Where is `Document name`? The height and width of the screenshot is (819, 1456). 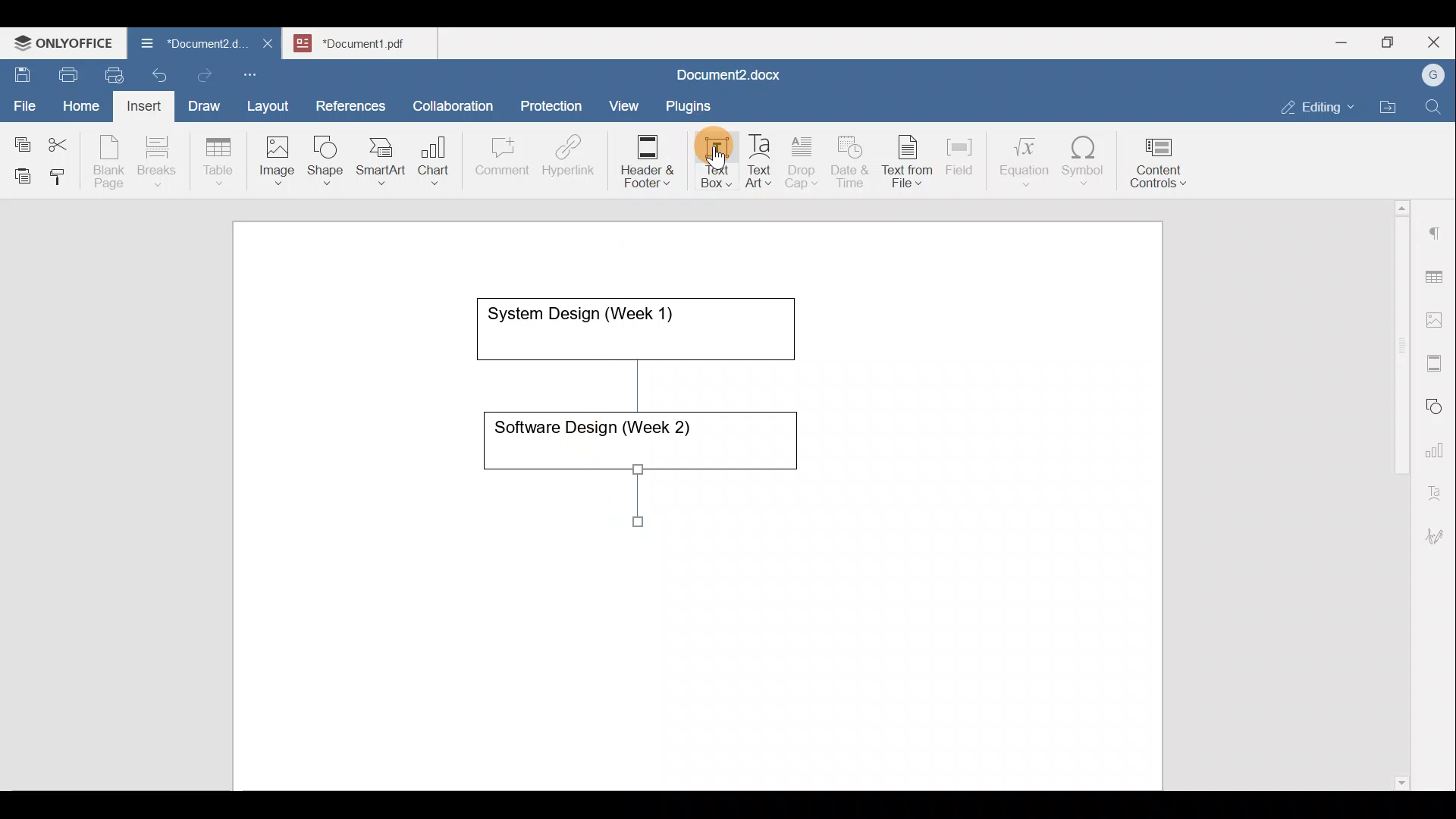 Document name is located at coordinates (369, 41).